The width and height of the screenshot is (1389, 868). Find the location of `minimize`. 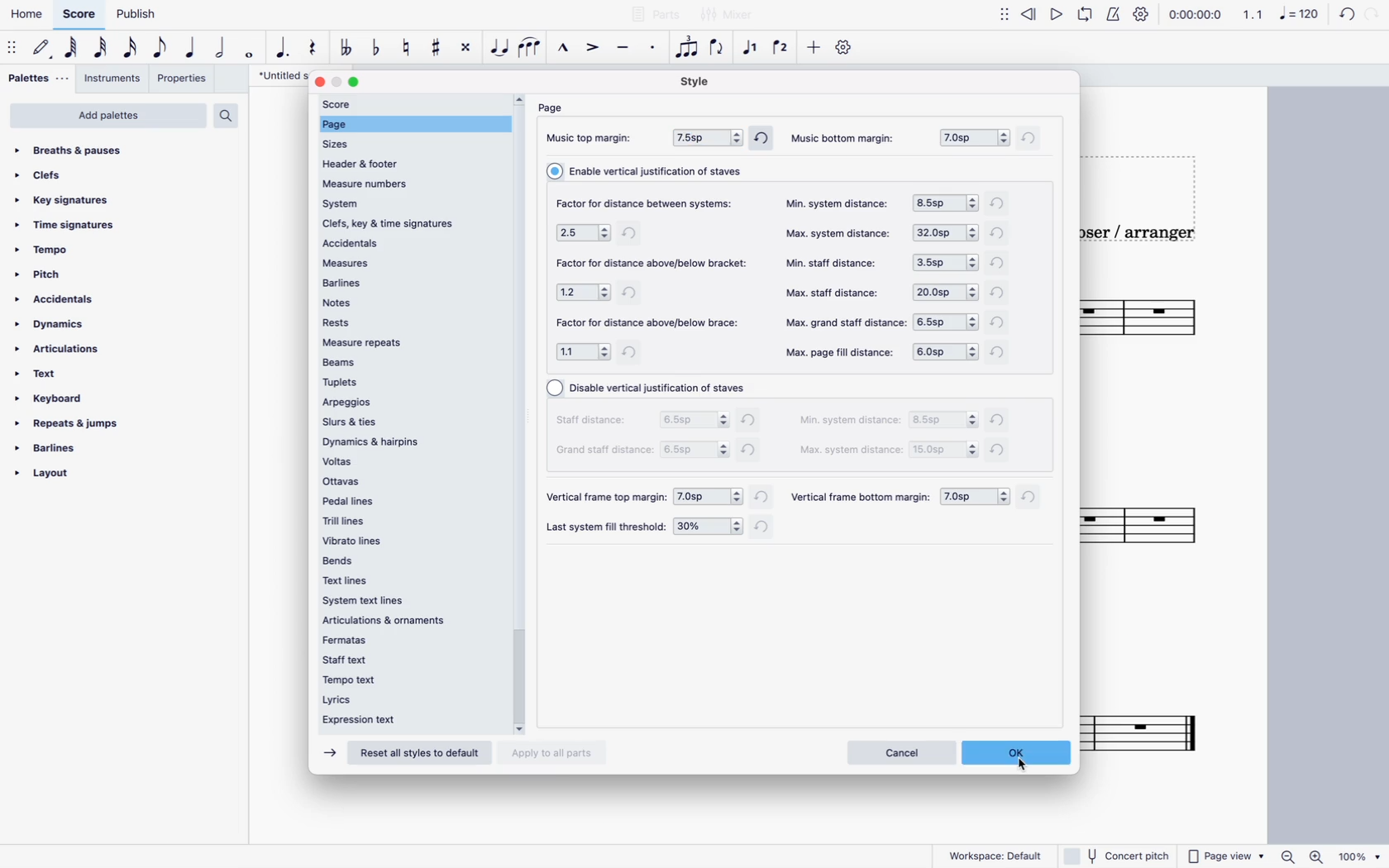

minimize is located at coordinates (338, 81).